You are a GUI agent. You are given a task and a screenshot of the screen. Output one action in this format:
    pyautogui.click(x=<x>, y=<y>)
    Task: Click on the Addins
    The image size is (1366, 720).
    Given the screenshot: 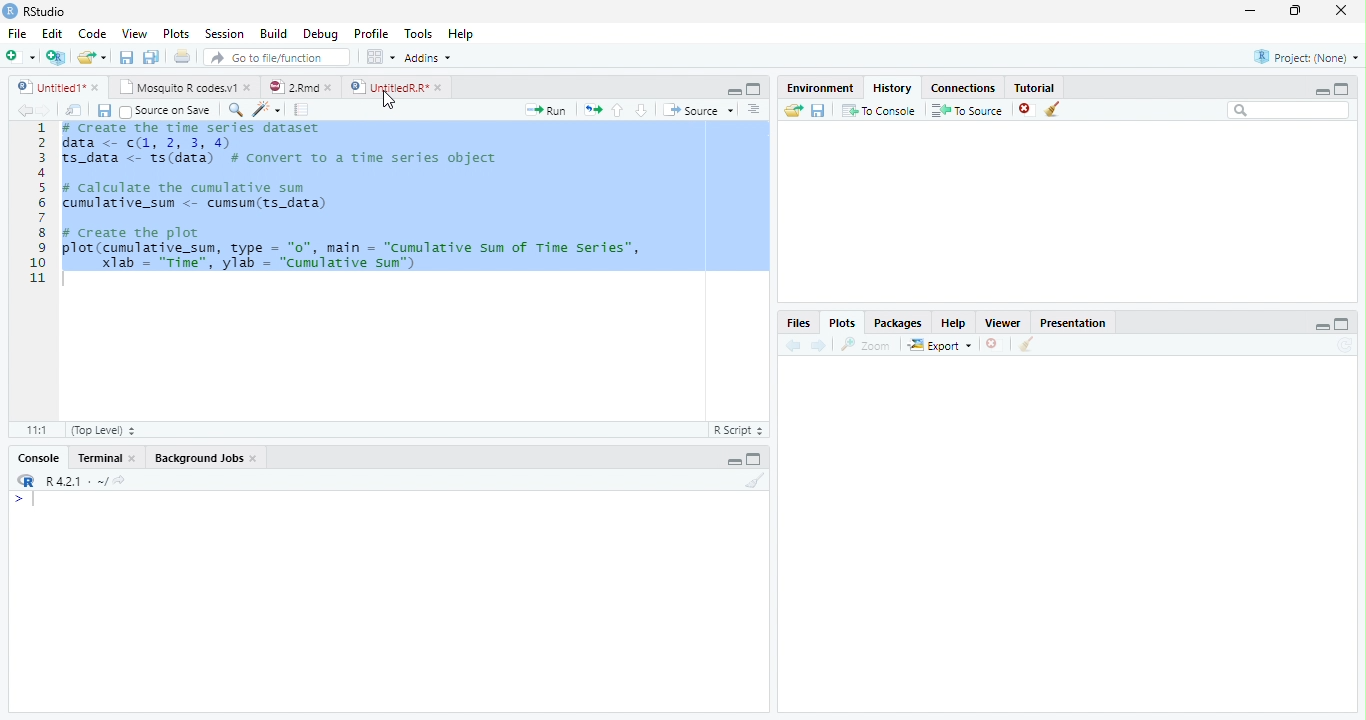 What is the action you would take?
    pyautogui.click(x=430, y=60)
    